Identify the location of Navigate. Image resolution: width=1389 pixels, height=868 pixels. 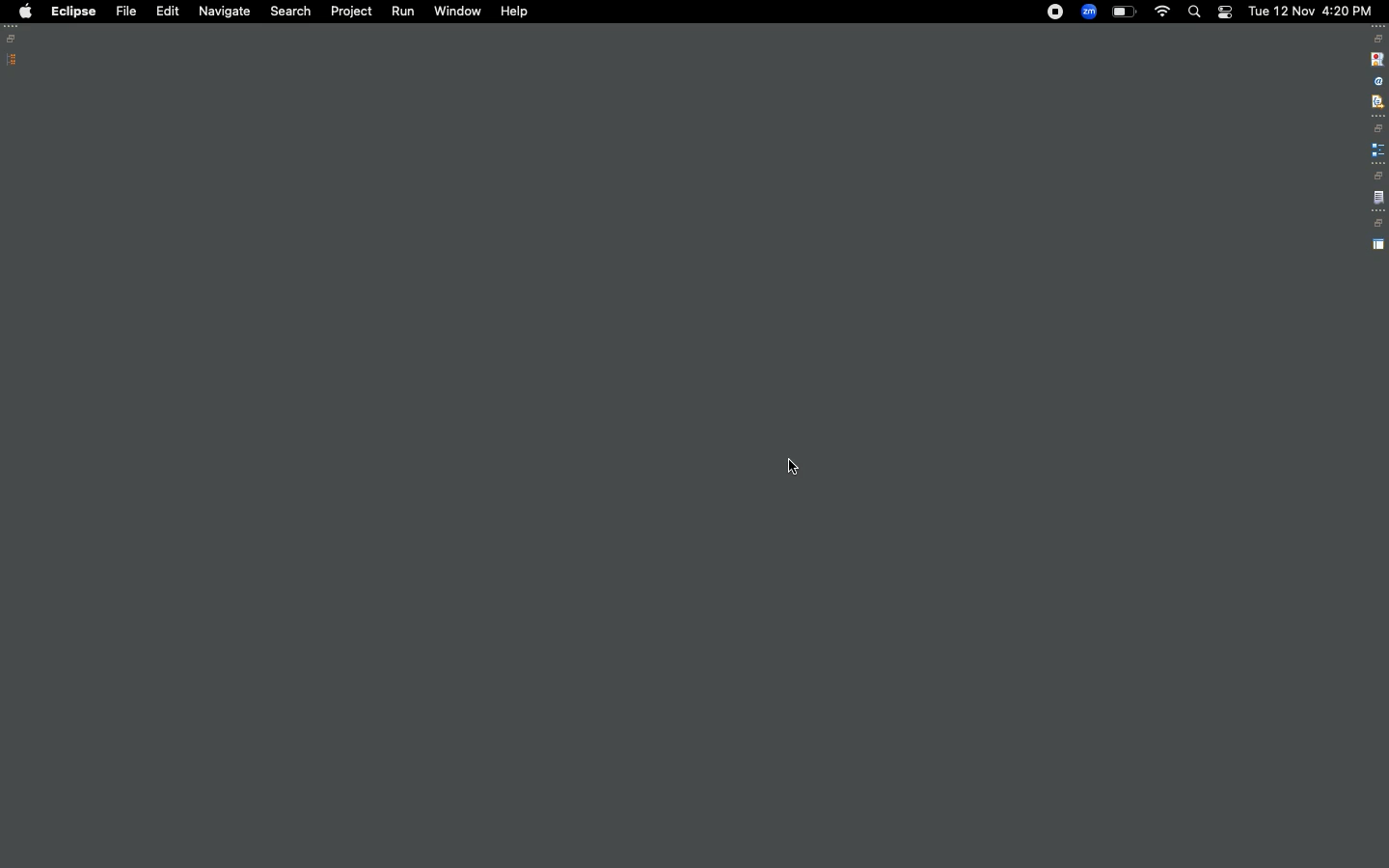
(222, 13).